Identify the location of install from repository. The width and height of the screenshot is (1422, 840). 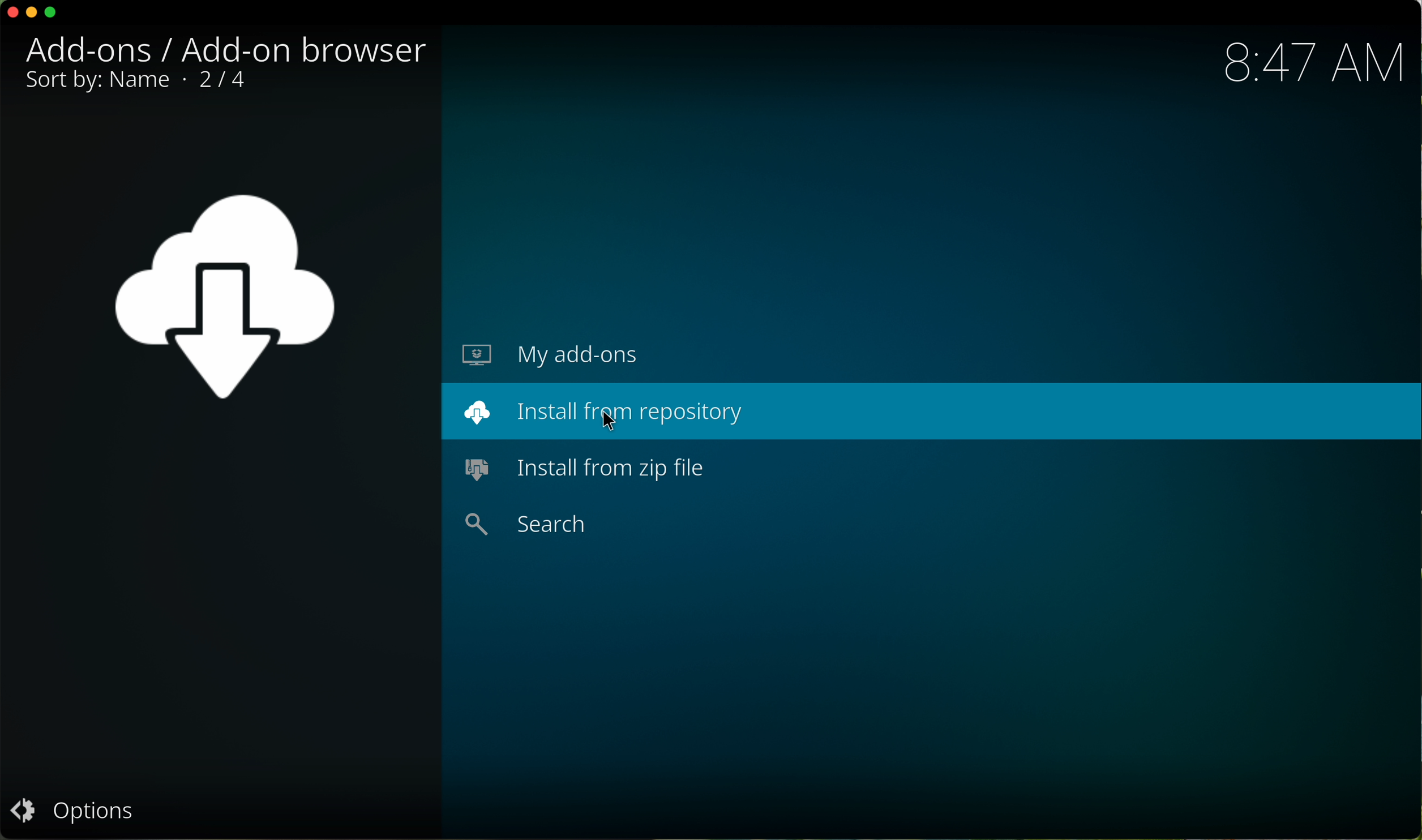
(610, 410).